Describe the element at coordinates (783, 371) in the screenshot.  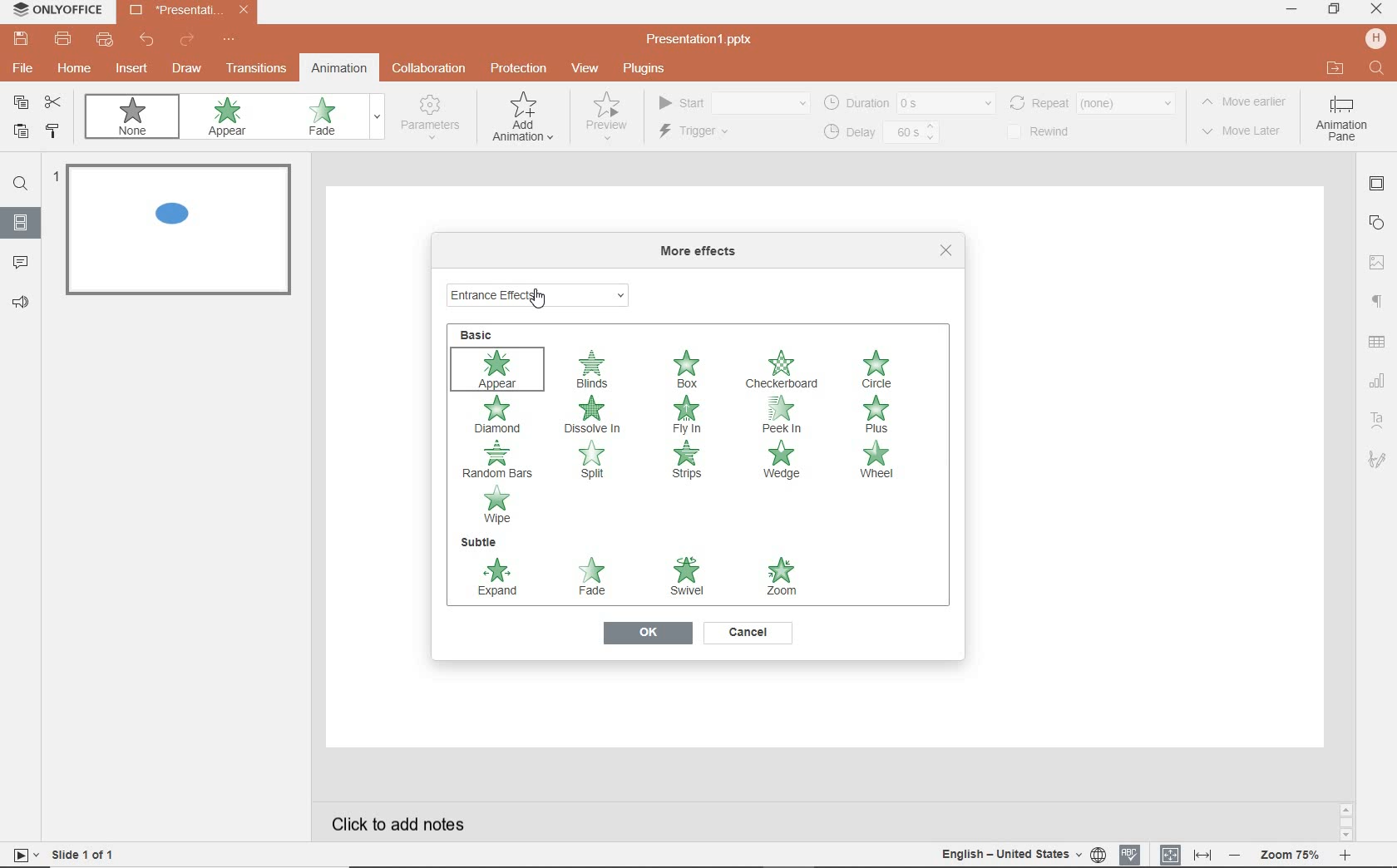
I see `CHECKERBOARD` at that location.